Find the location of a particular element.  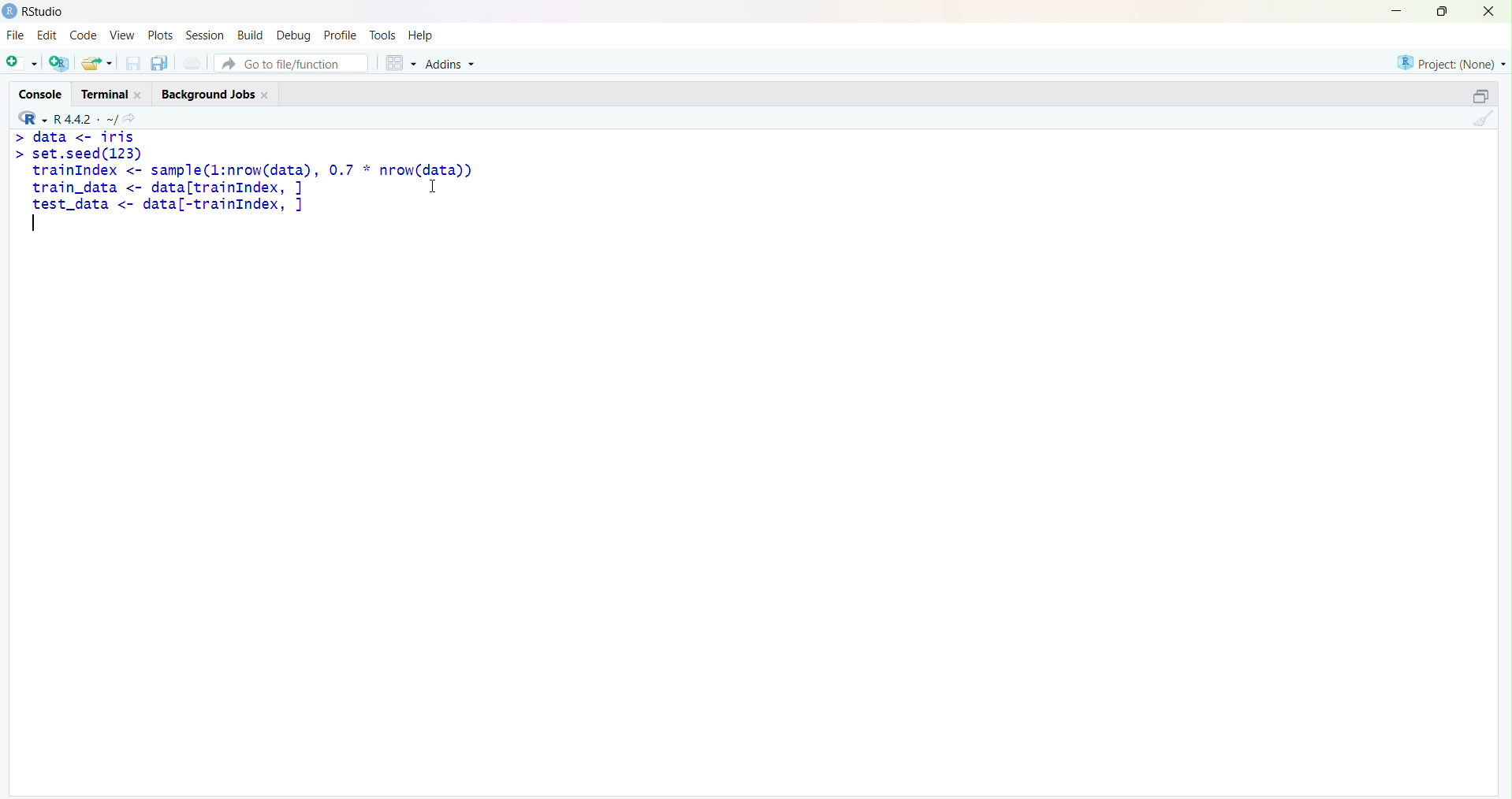

Help is located at coordinates (422, 36).